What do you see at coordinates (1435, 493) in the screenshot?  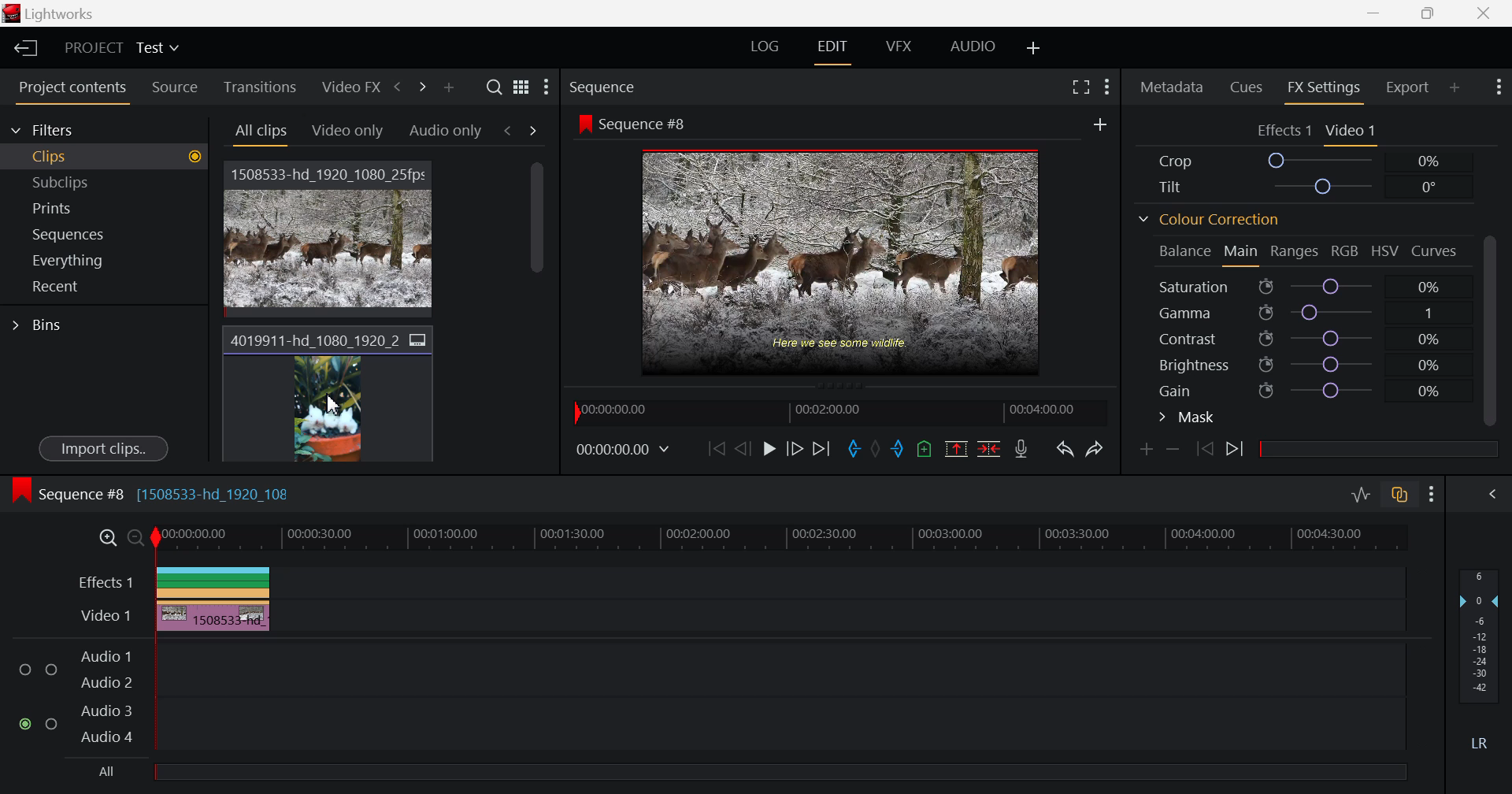 I see `Show Settings` at bounding box center [1435, 493].